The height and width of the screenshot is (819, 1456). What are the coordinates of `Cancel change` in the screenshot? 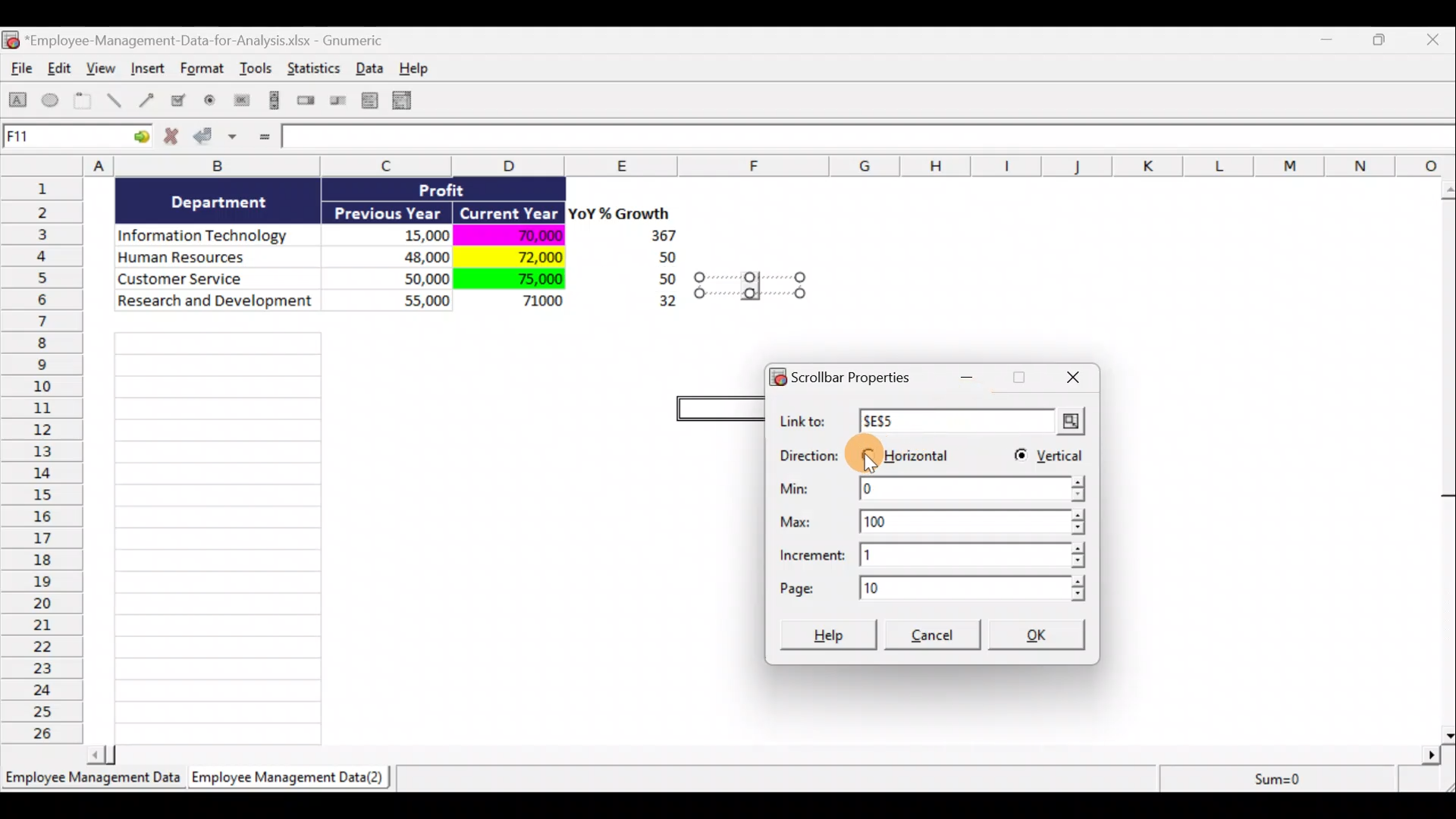 It's located at (176, 140).